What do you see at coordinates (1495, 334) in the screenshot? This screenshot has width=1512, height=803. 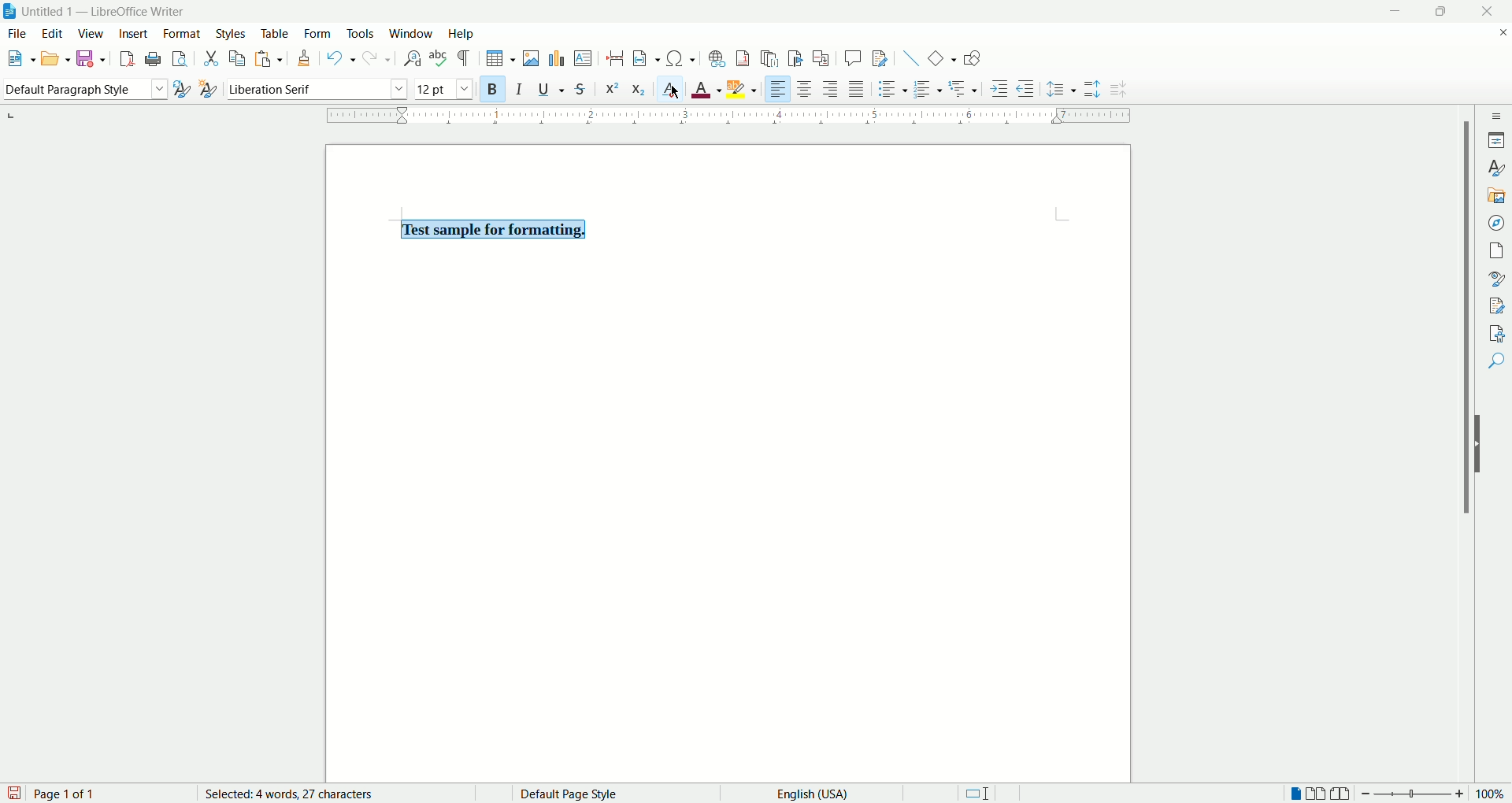 I see `accessibility check` at bounding box center [1495, 334].